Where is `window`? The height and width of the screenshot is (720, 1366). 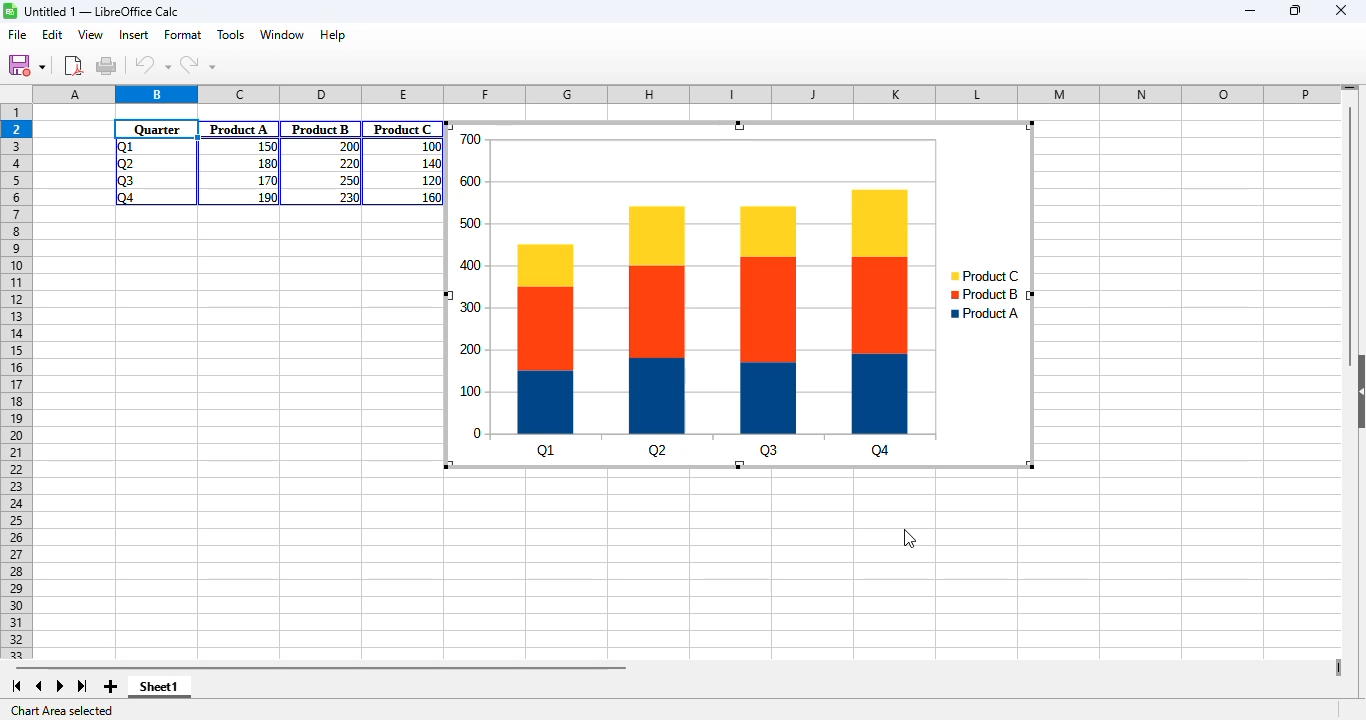 window is located at coordinates (283, 35).